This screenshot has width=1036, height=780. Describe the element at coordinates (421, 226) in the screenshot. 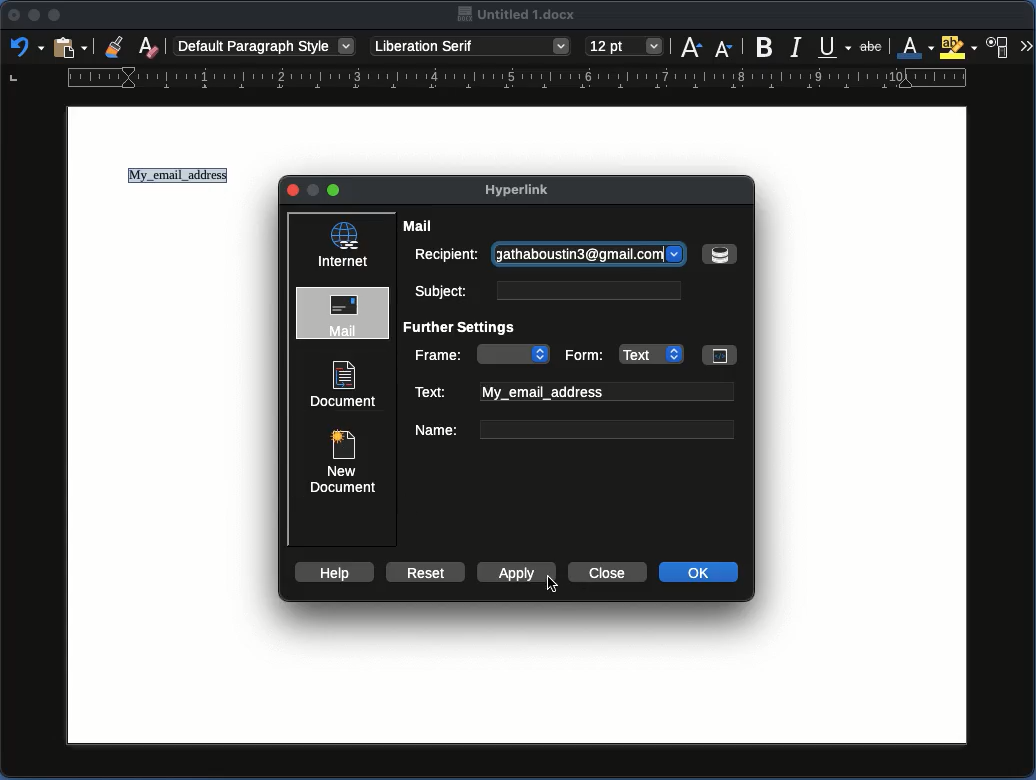

I see `Mail` at that location.